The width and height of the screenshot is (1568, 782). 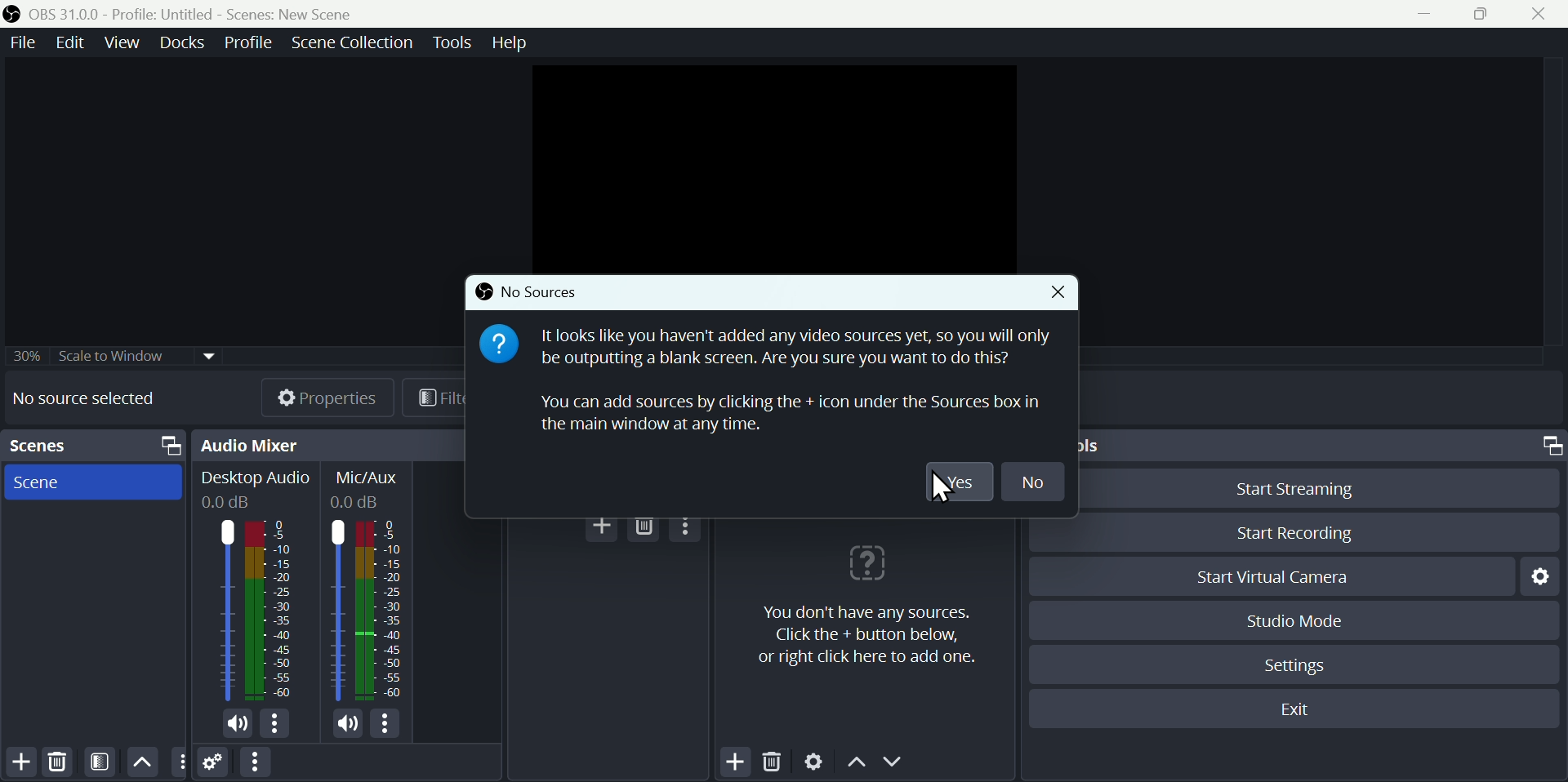 What do you see at coordinates (48, 447) in the screenshot?
I see `scenes` at bounding box center [48, 447].